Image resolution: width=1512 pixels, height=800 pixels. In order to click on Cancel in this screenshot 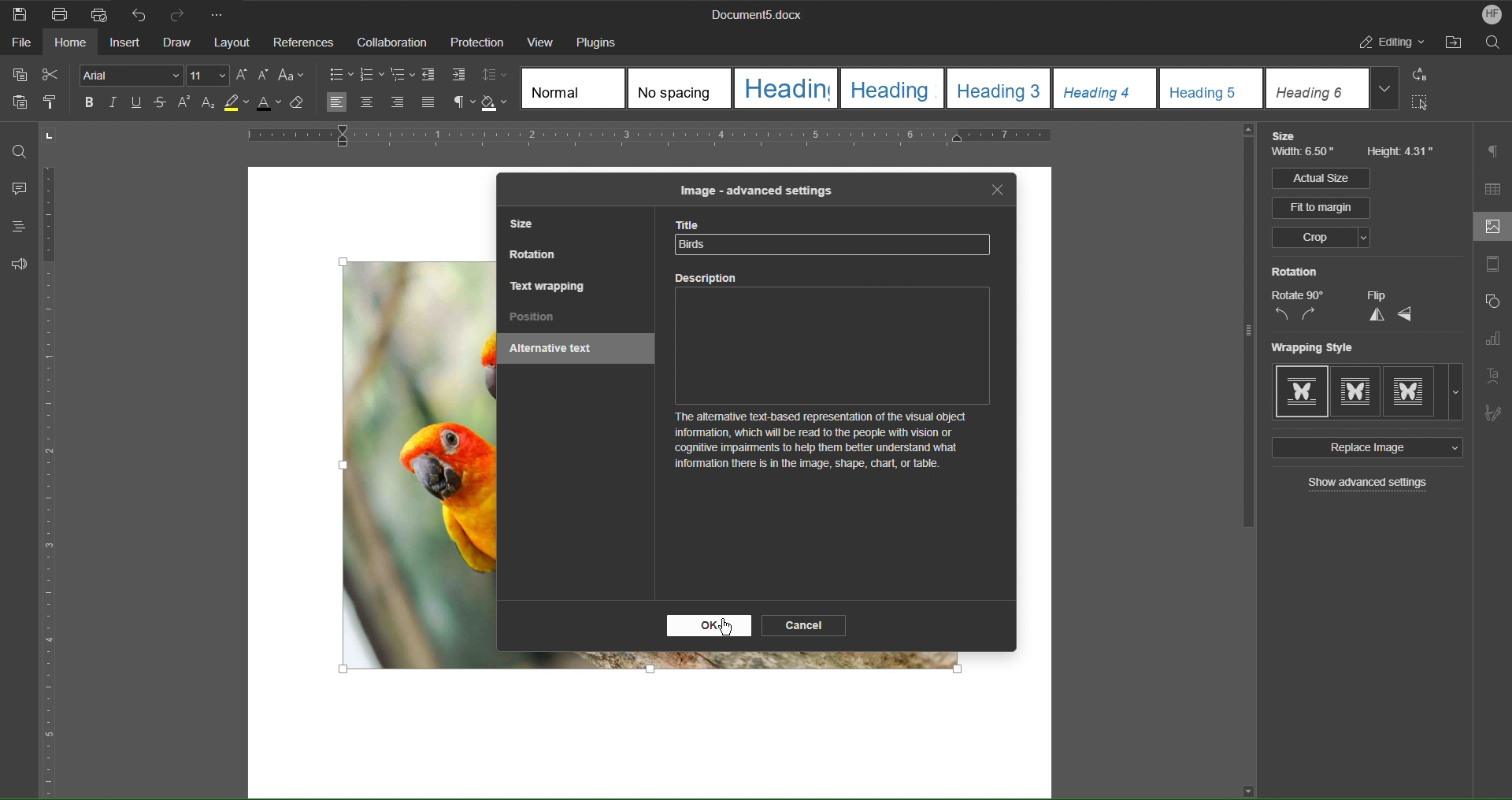, I will do `click(806, 624)`.